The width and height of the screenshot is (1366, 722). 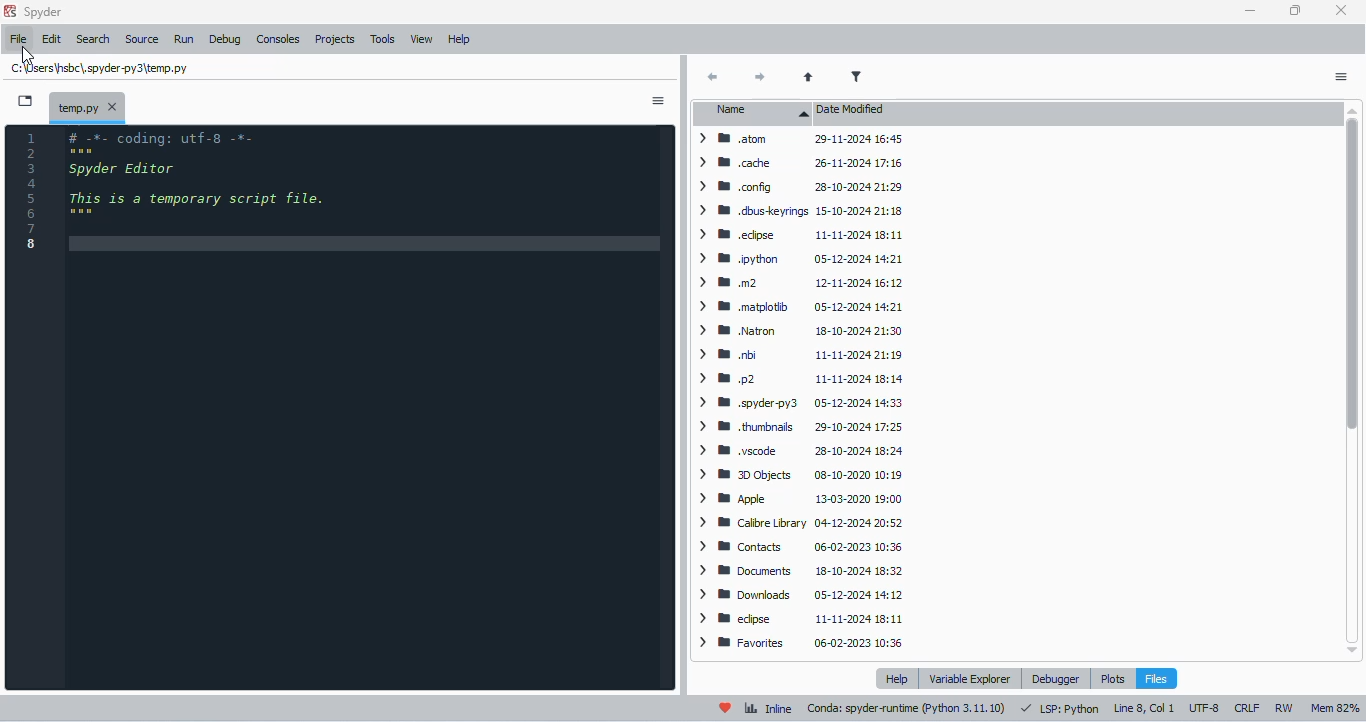 What do you see at coordinates (381, 40) in the screenshot?
I see `tools` at bounding box center [381, 40].